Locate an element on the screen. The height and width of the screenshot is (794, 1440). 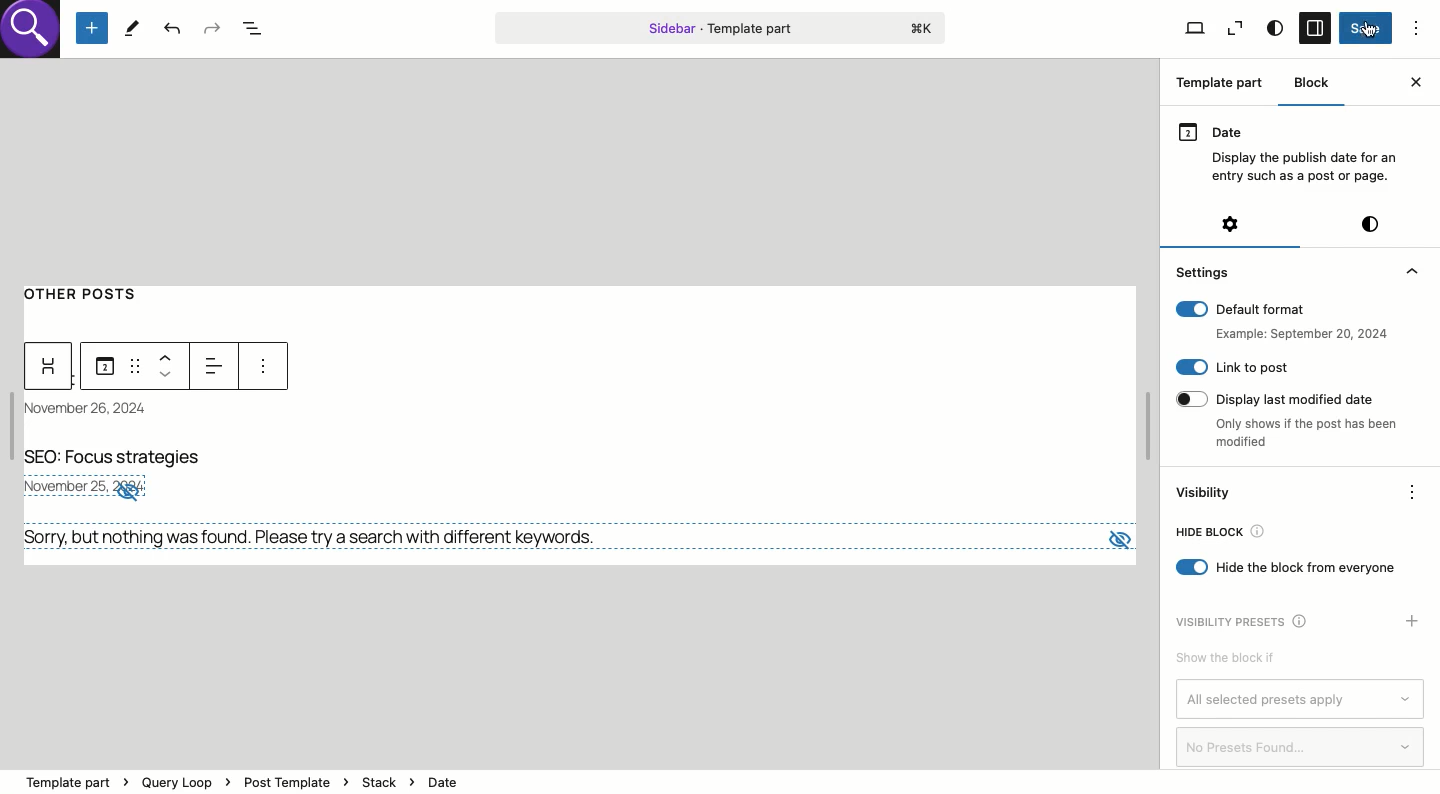
Template part is located at coordinates (1224, 85).